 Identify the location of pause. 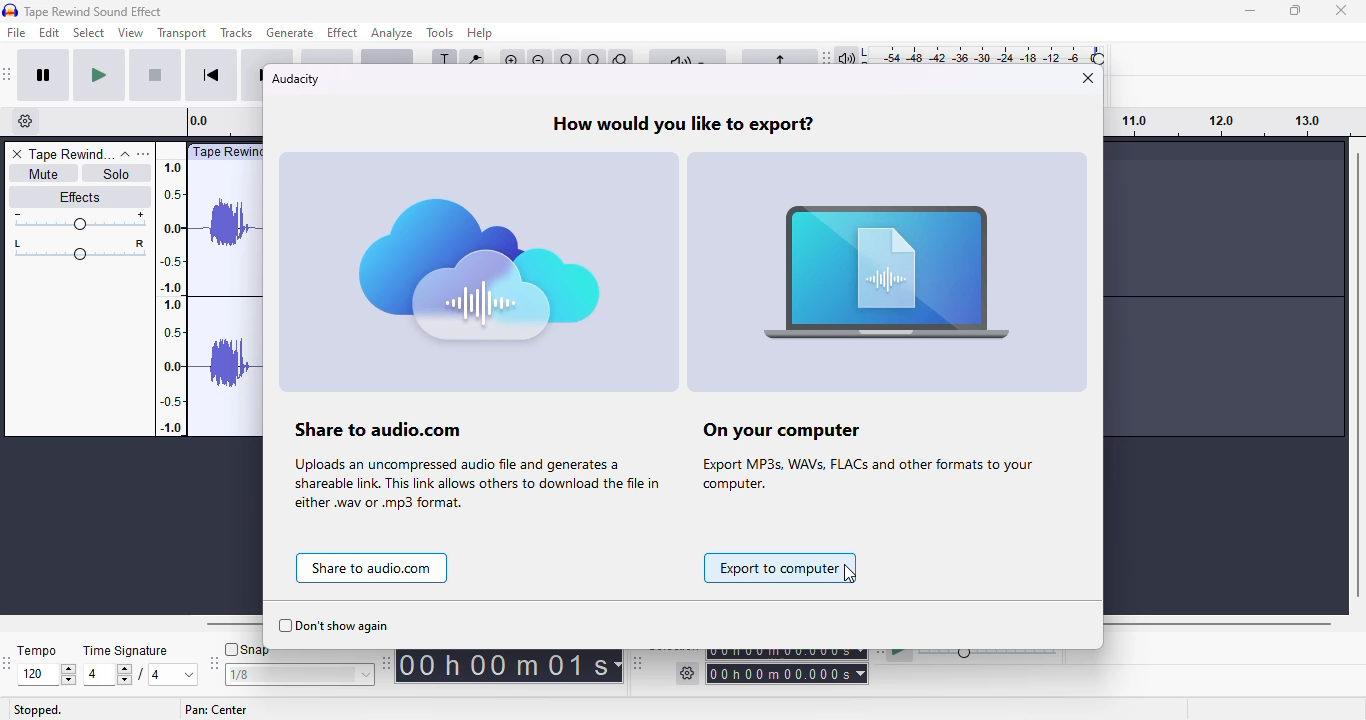
(43, 76).